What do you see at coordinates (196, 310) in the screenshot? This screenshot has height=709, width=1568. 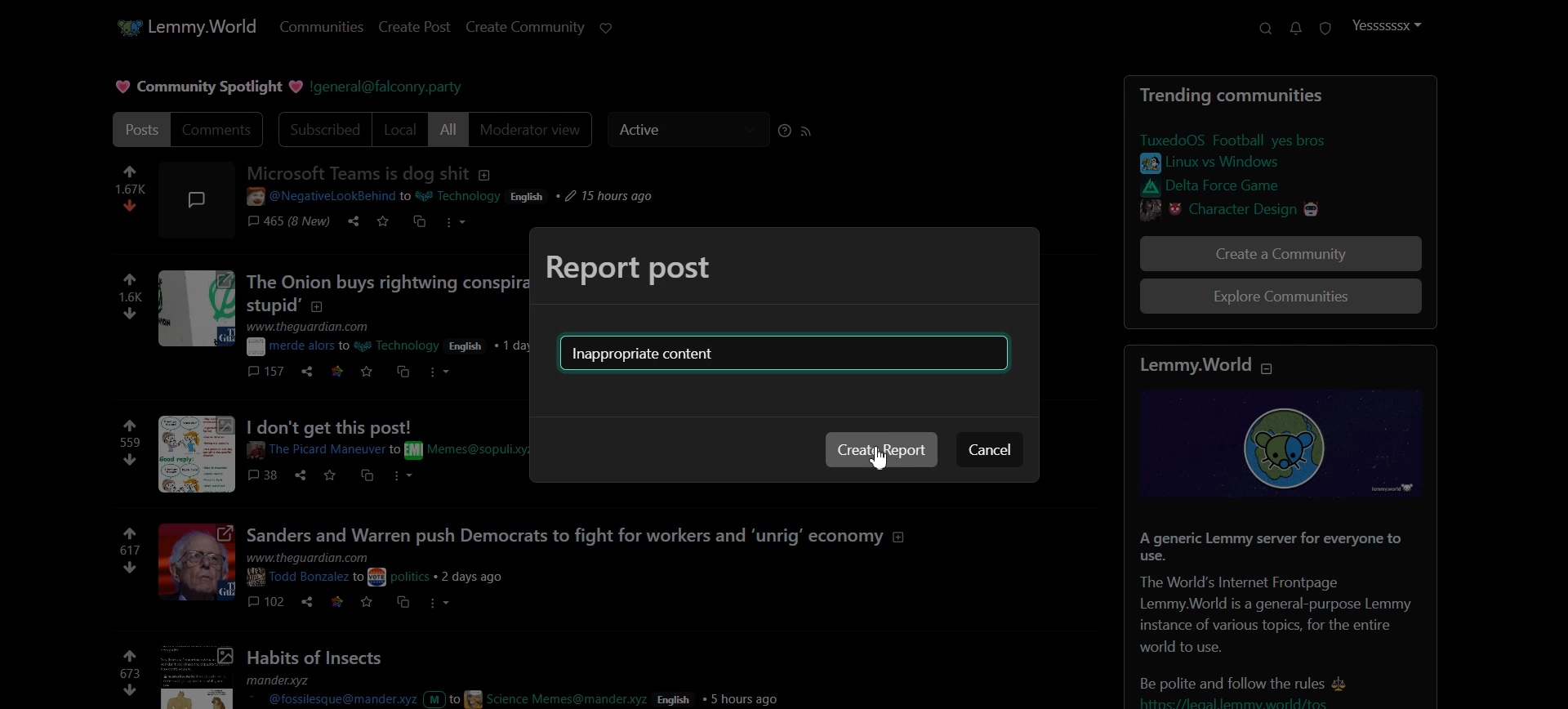 I see `image` at bounding box center [196, 310].